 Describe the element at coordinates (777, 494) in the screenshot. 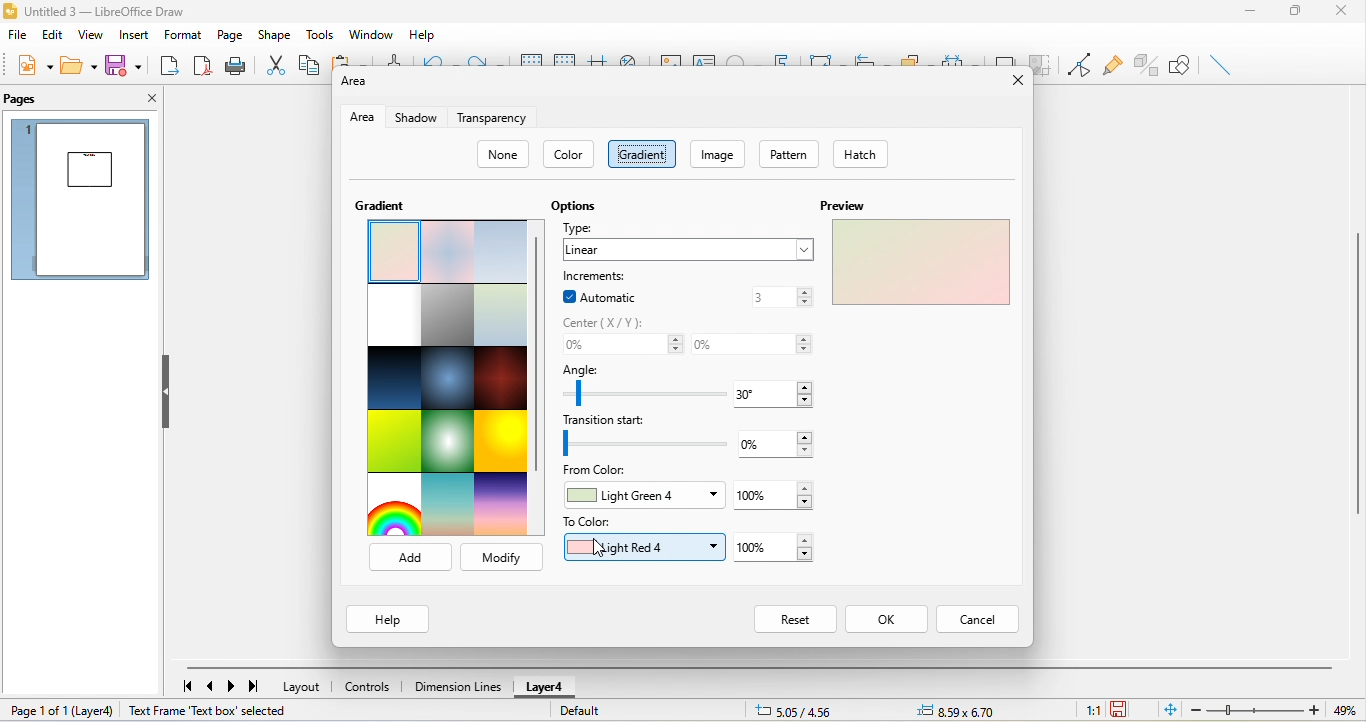

I see `100%` at that location.